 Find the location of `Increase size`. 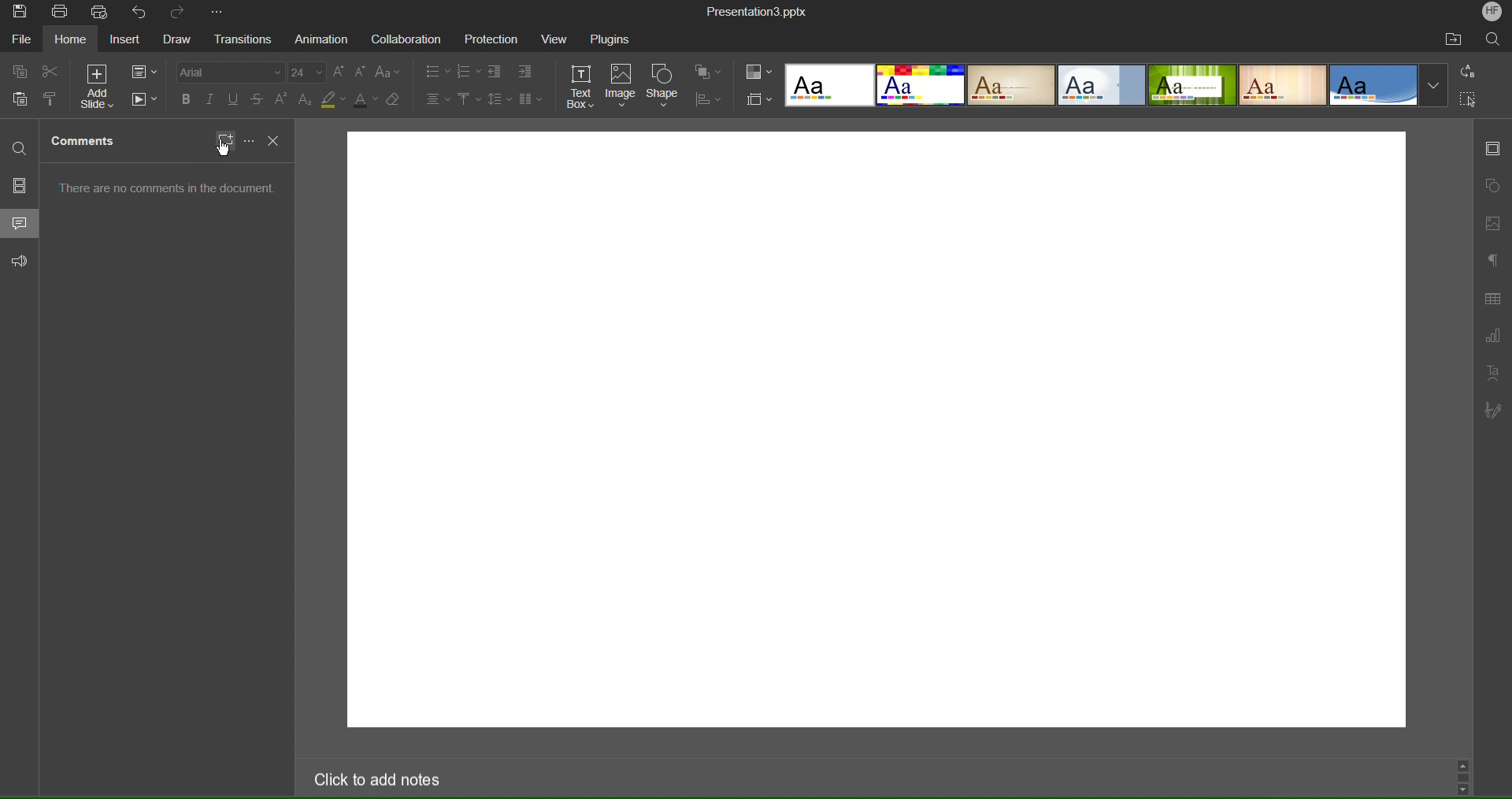

Increase size is located at coordinates (339, 73).